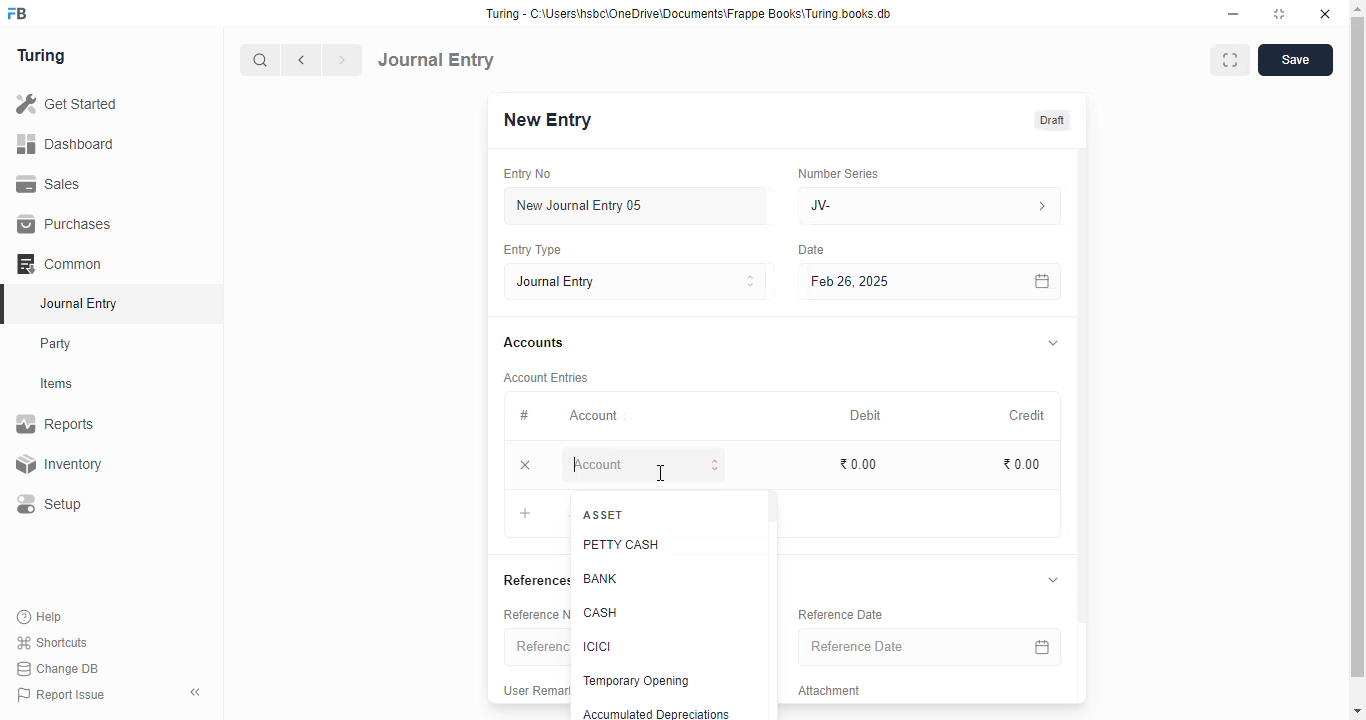 Image resolution: width=1366 pixels, height=720 pixels. Describe the element at coordinates (344, 60) in the screenshot. I see `next` at that location.